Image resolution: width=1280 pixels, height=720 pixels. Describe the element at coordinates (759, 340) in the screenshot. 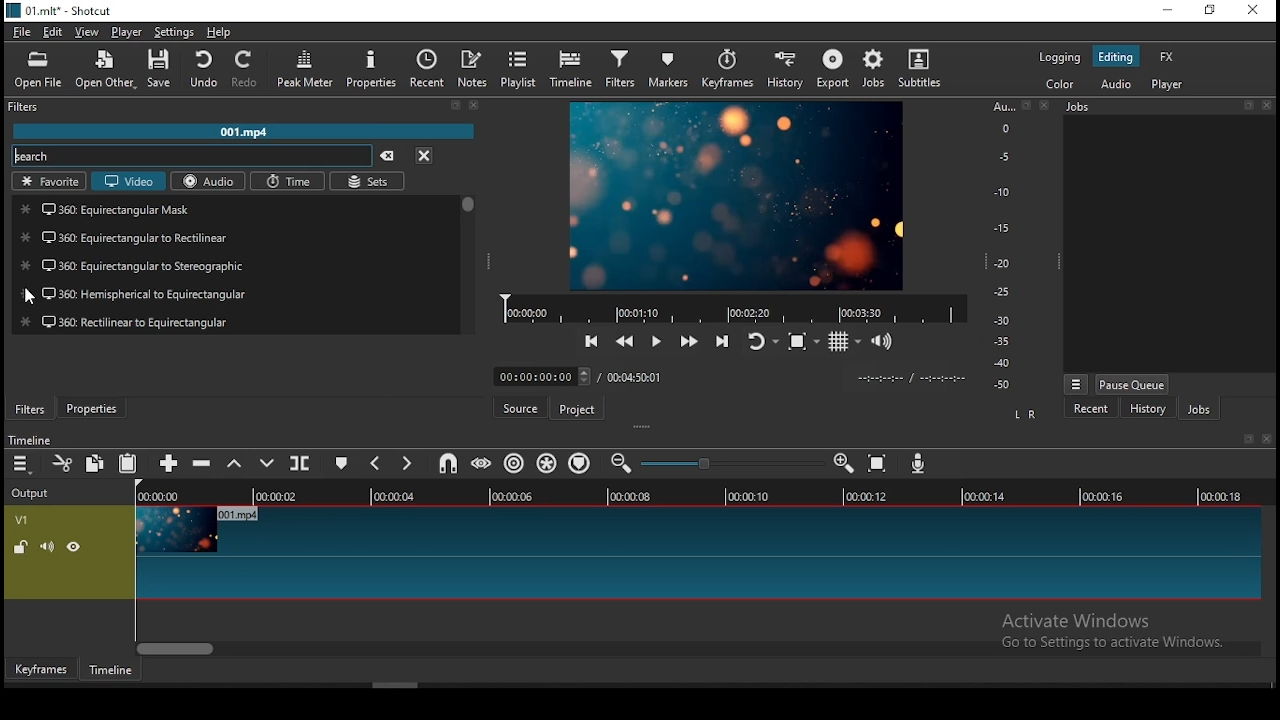

I see `toggle player after looping` at that location.